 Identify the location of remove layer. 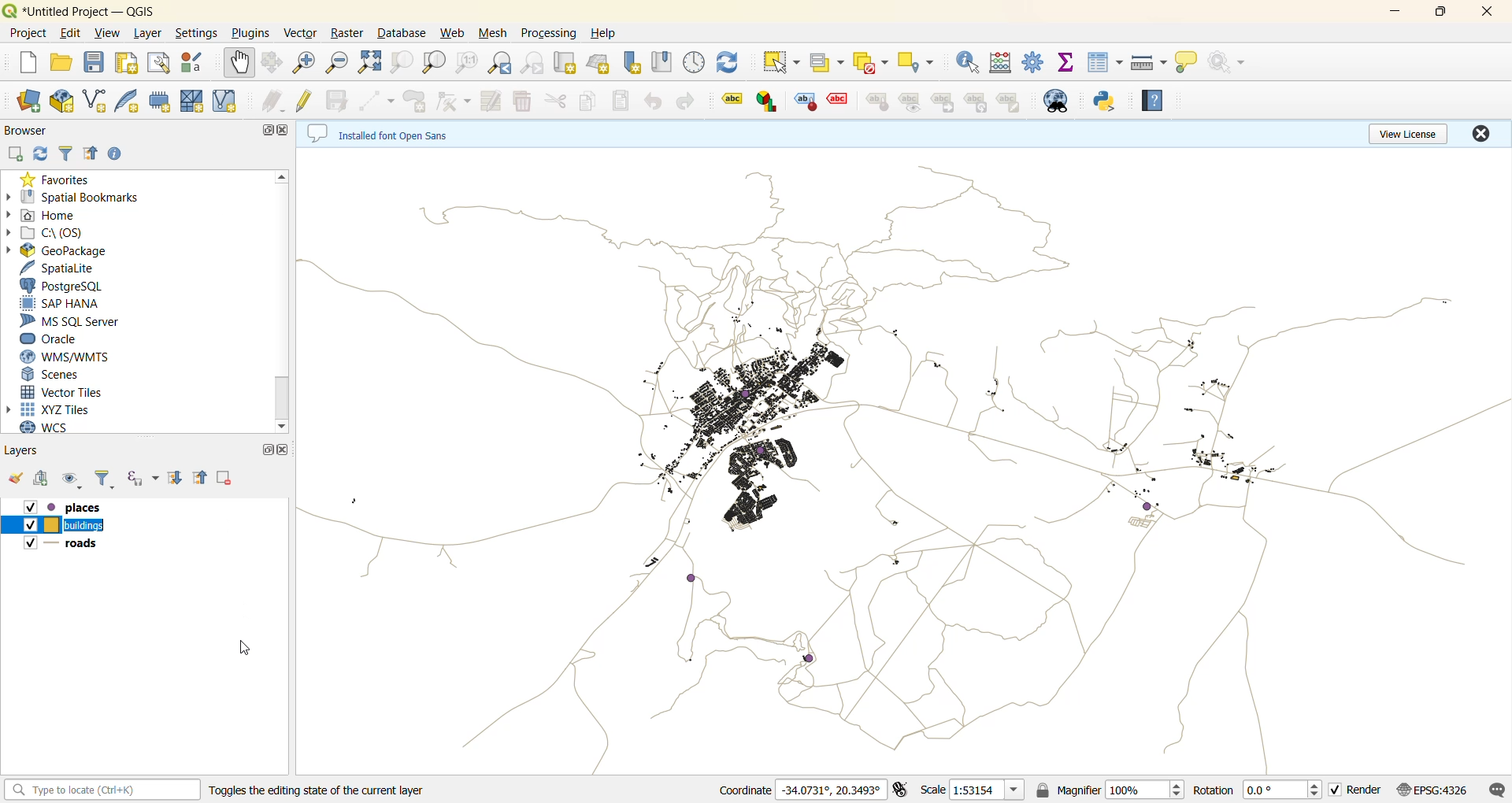
(223, 475).